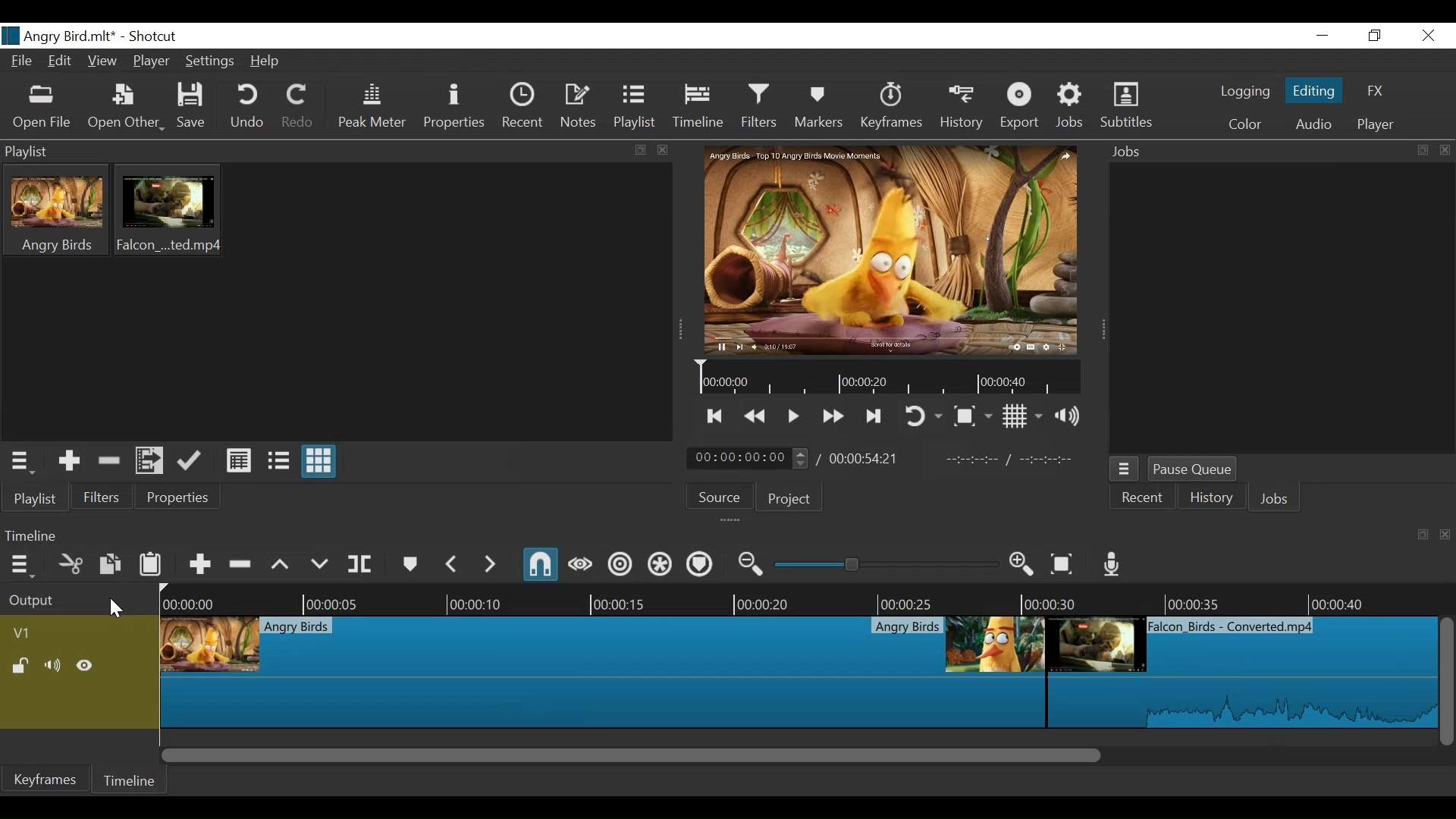 Image resolution: width=1456 pixels, height=819 pixels. Describe the element at coordinates (1071, 108) in the screenshot. I see `Jobs` at that location.